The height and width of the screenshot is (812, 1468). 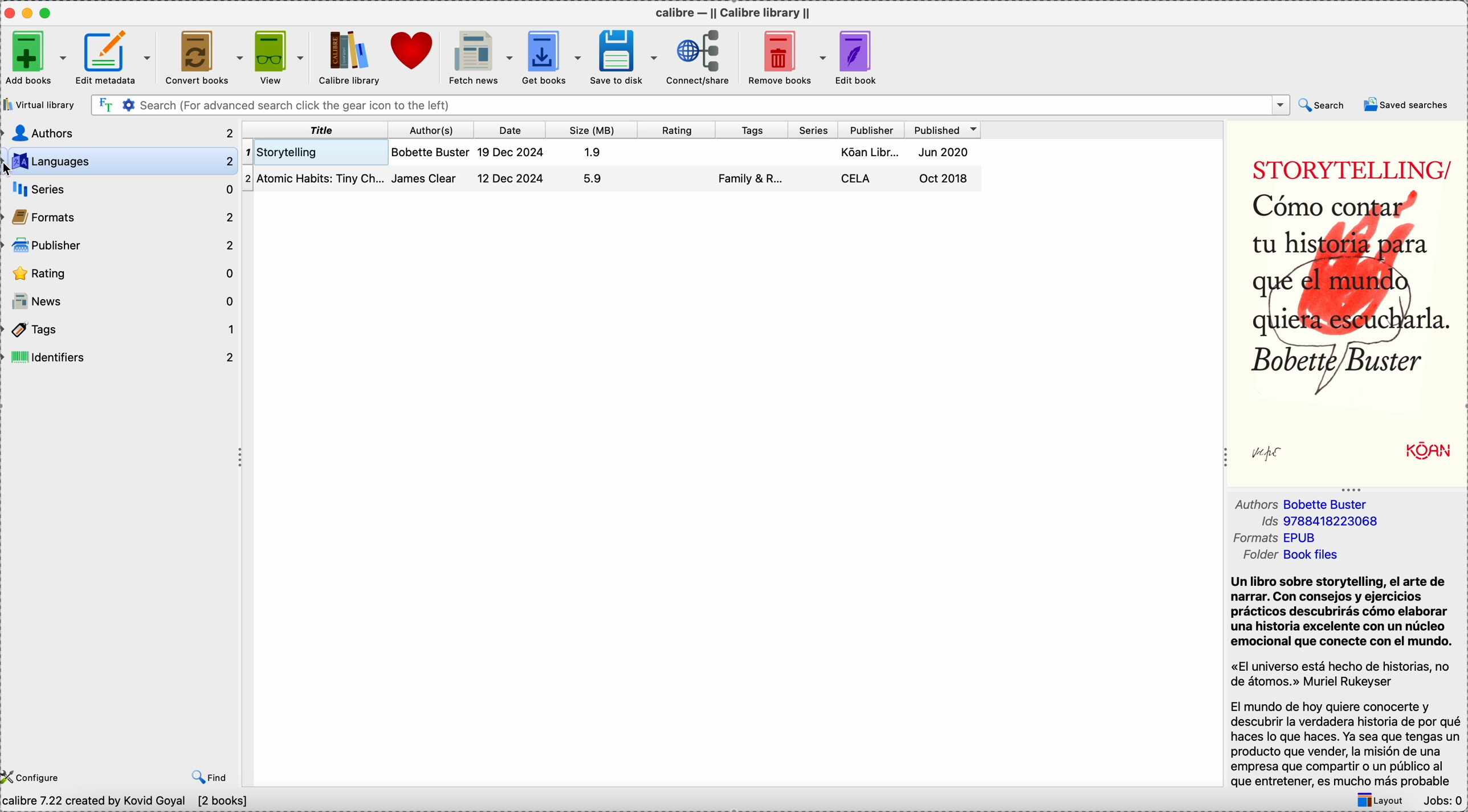 What do you see at coordinates (122, 244) in the screenshot?
I see `publisher` at bounding box center [122, 244].